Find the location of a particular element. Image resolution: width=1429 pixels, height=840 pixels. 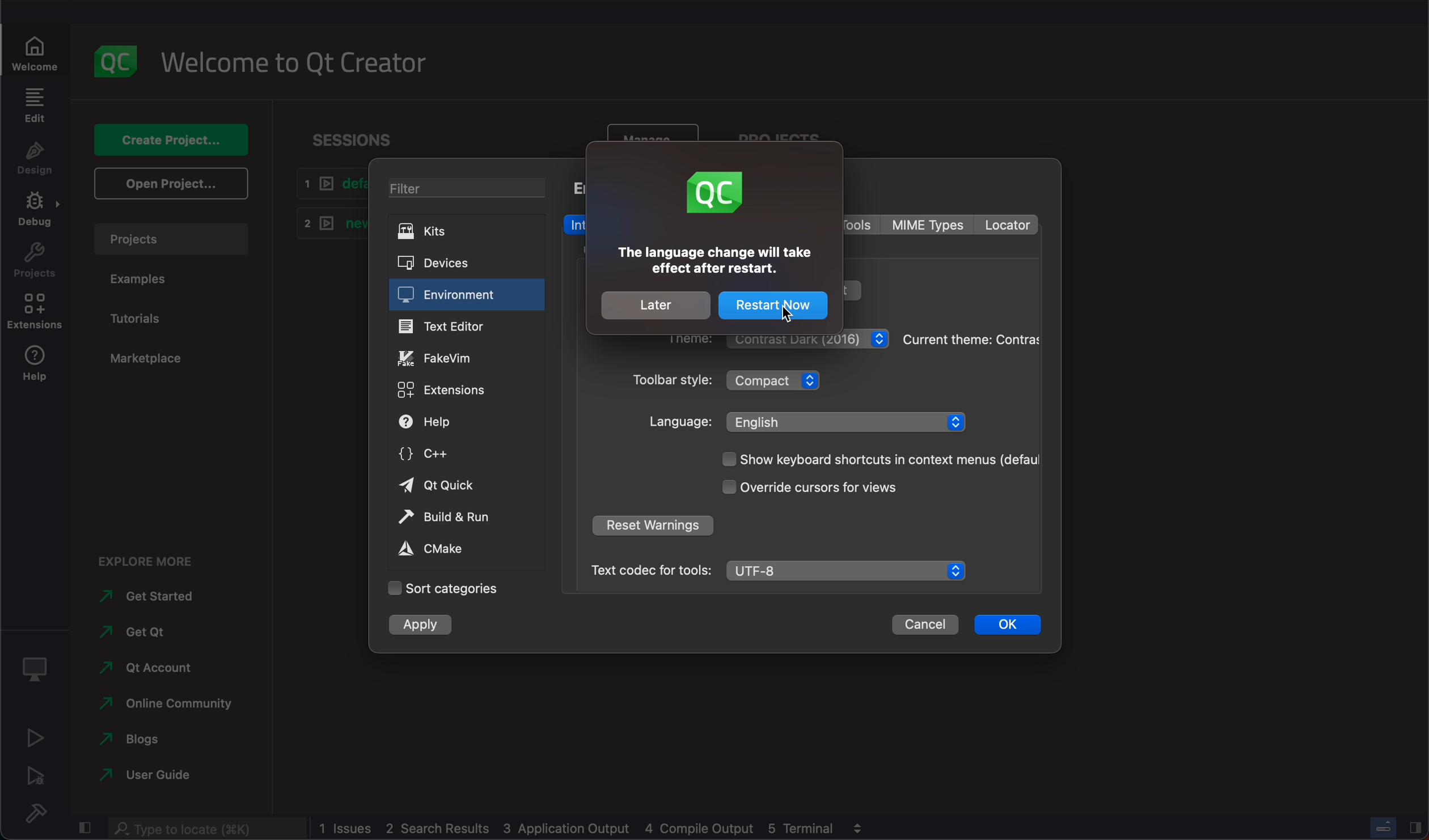

project is located at coordinates (777, 133).